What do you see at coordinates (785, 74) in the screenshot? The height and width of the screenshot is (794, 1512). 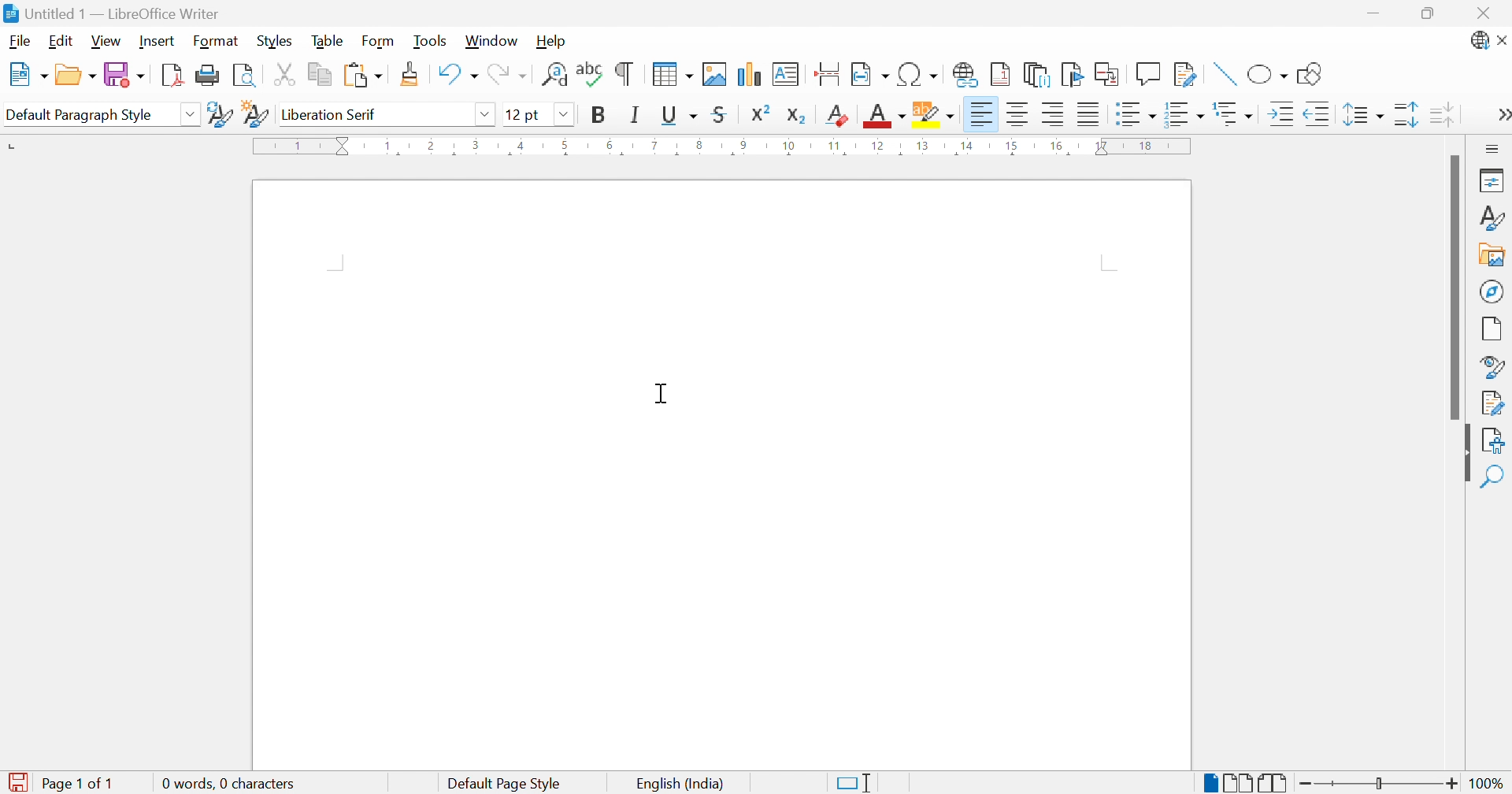 I see `Insert text box` at bounding box center [785, 74].